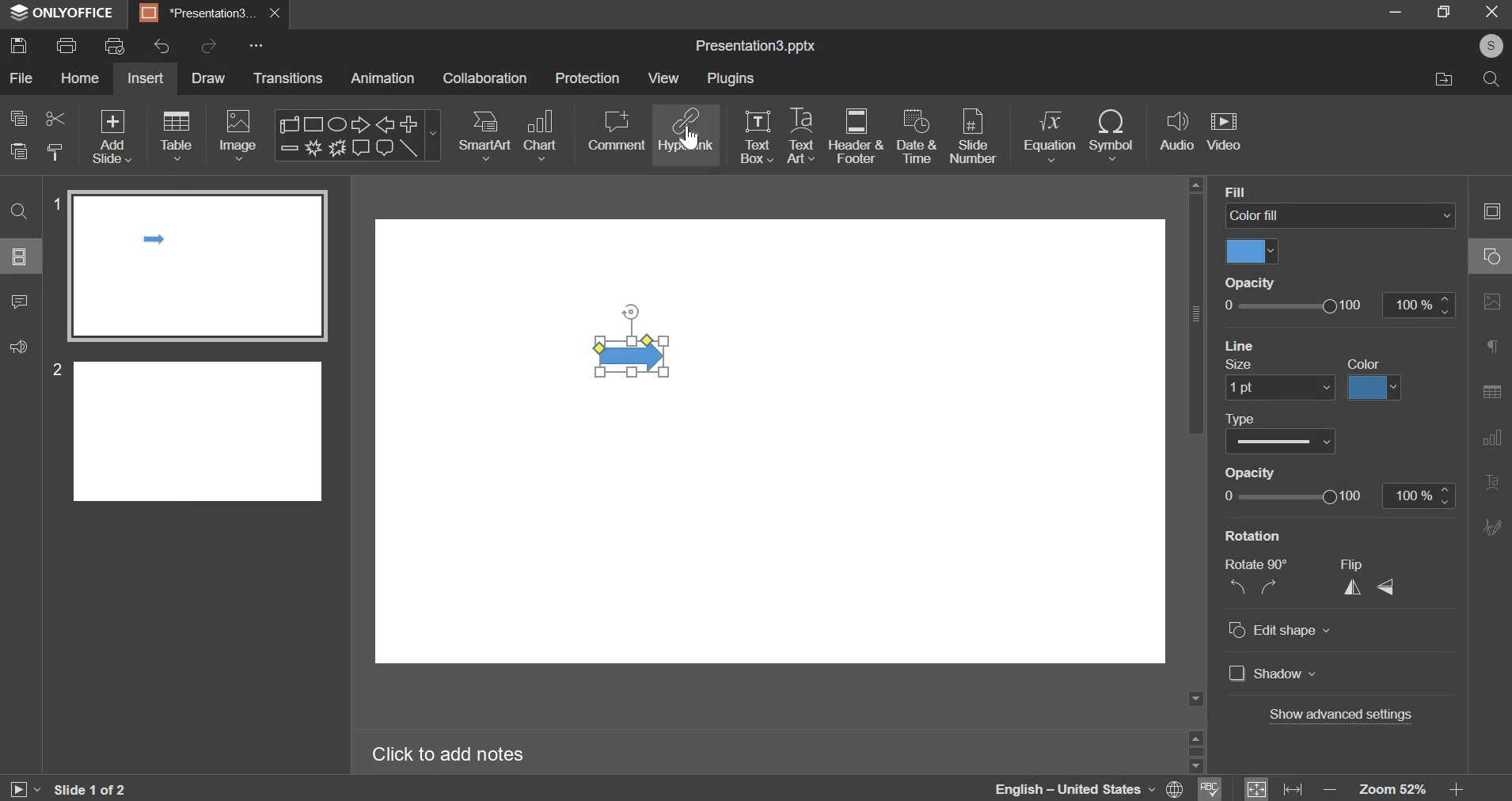  What do you see at coordinates (1446, 11) in the screenshot?
I see `maximize` at bounding box center [1446, 11].